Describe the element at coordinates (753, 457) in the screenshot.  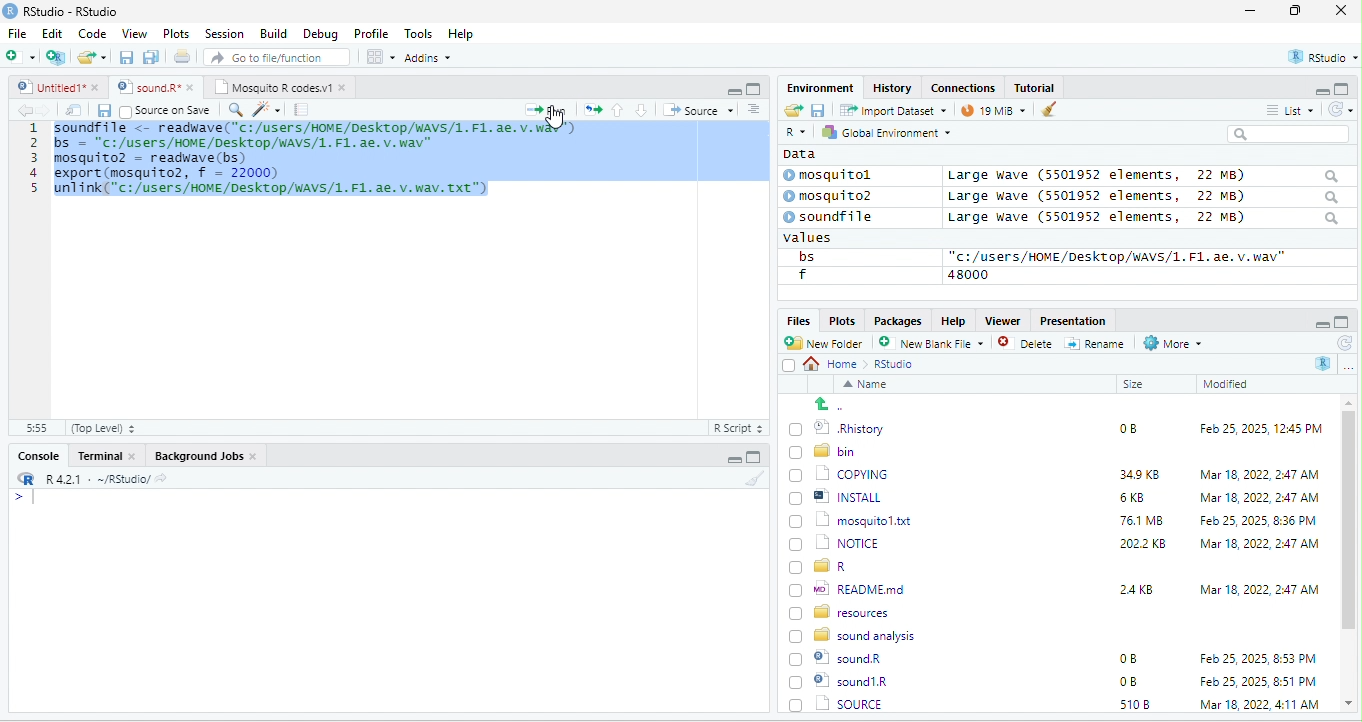
I see `maximize` at that location.